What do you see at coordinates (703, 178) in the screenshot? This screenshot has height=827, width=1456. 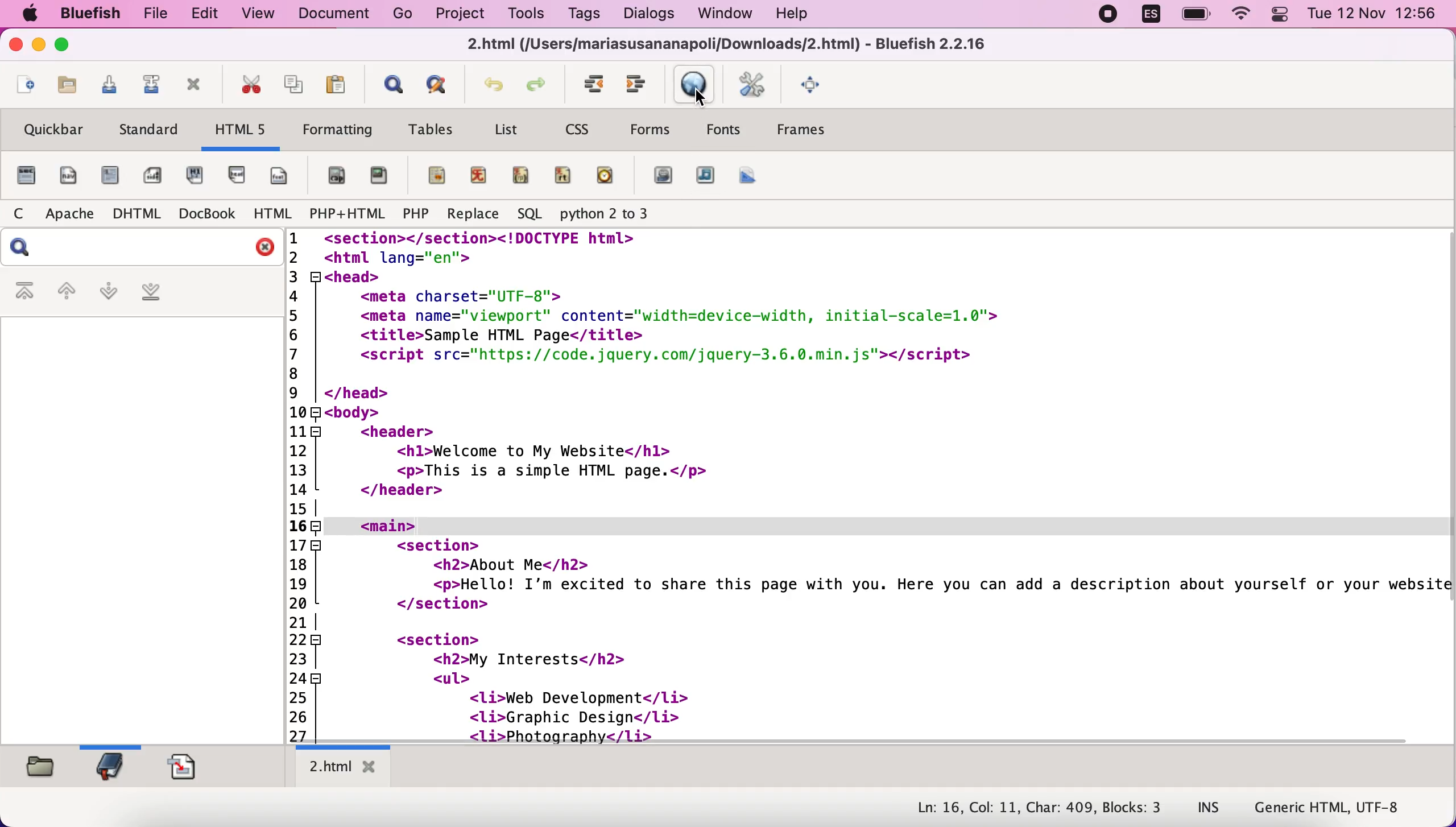 I see `insert thumbnail` at bounding box center [703, 178].